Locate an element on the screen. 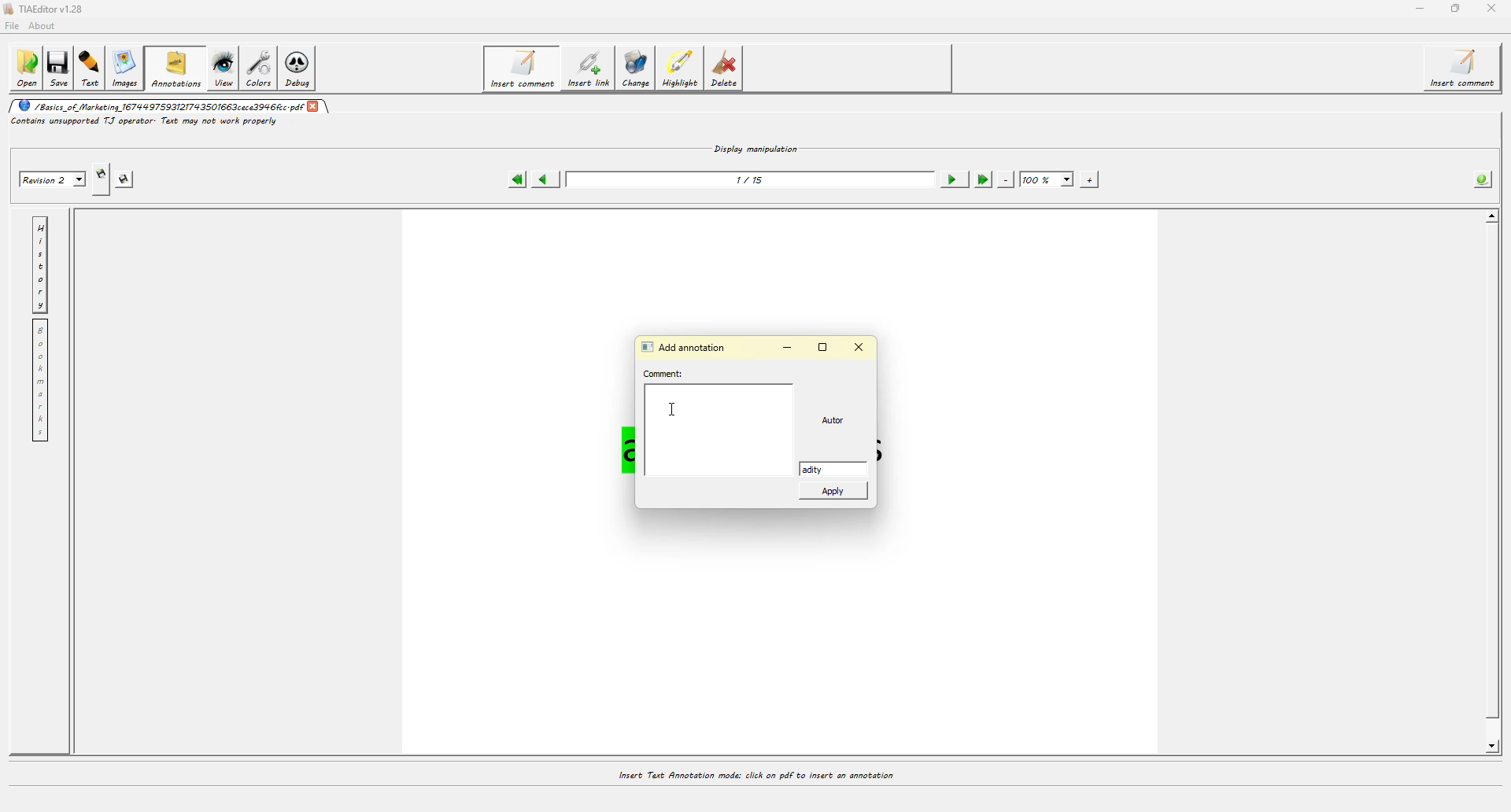 The height and width of the screenshot is (812, 1511). view is located at coordinates (224, 68).